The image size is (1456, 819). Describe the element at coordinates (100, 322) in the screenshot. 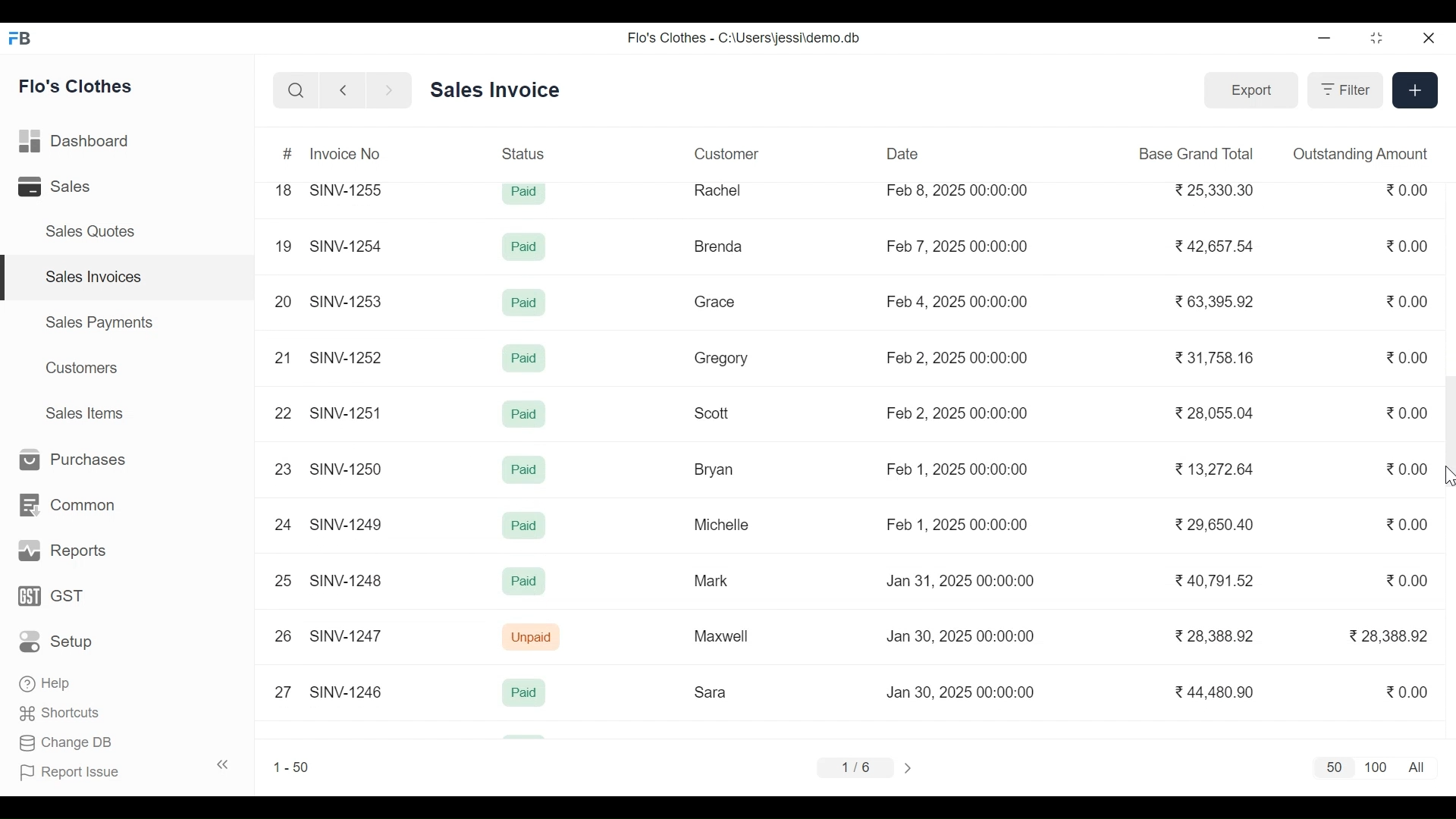

I see `Sales Payments` at that location.